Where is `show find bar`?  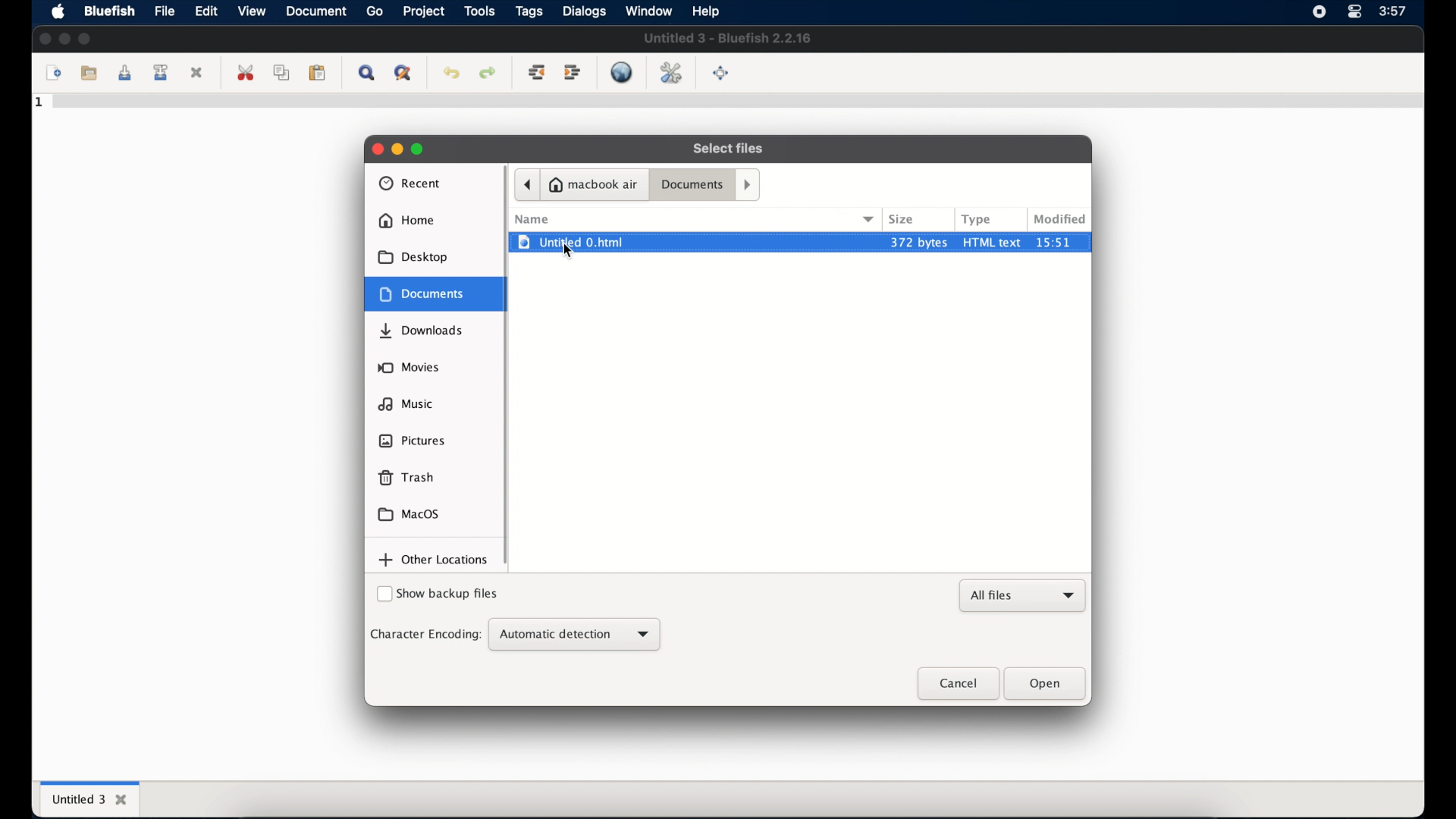
show find bar is located at coordinates (366, 74).